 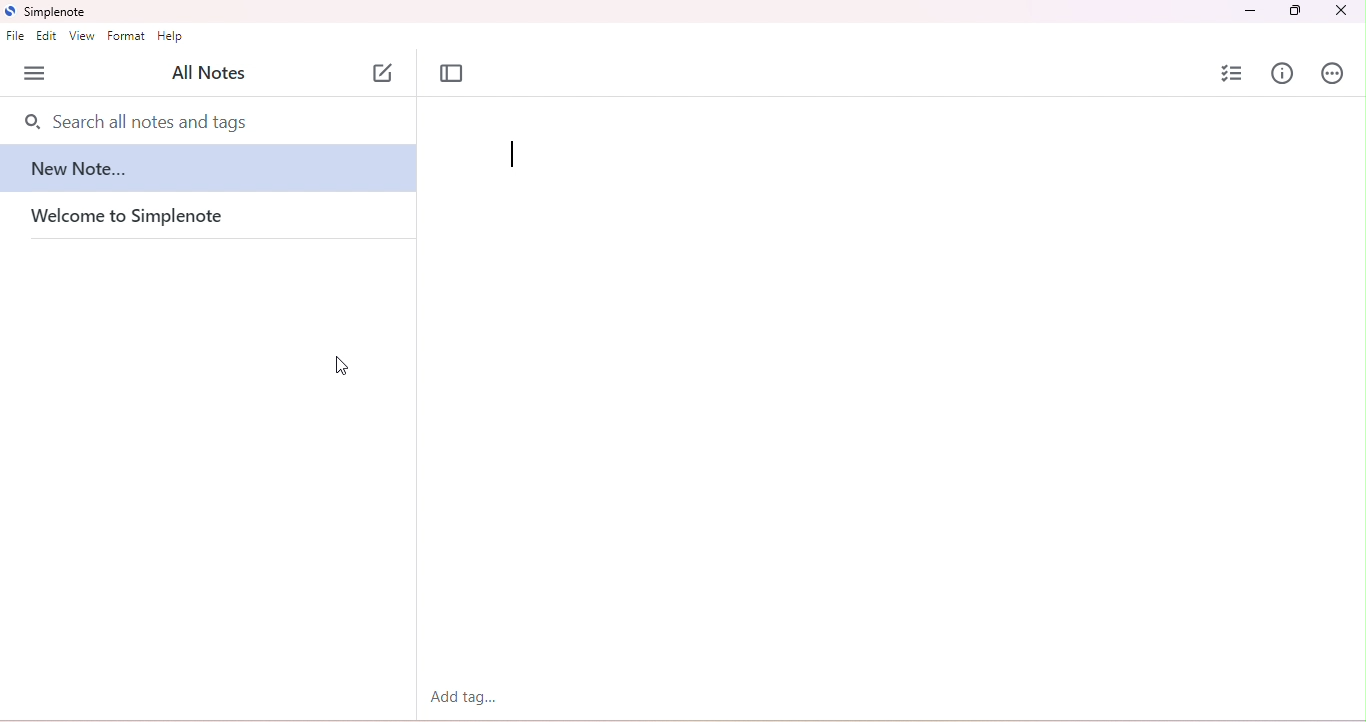 I want to click on file, so click(x=17, y=36).